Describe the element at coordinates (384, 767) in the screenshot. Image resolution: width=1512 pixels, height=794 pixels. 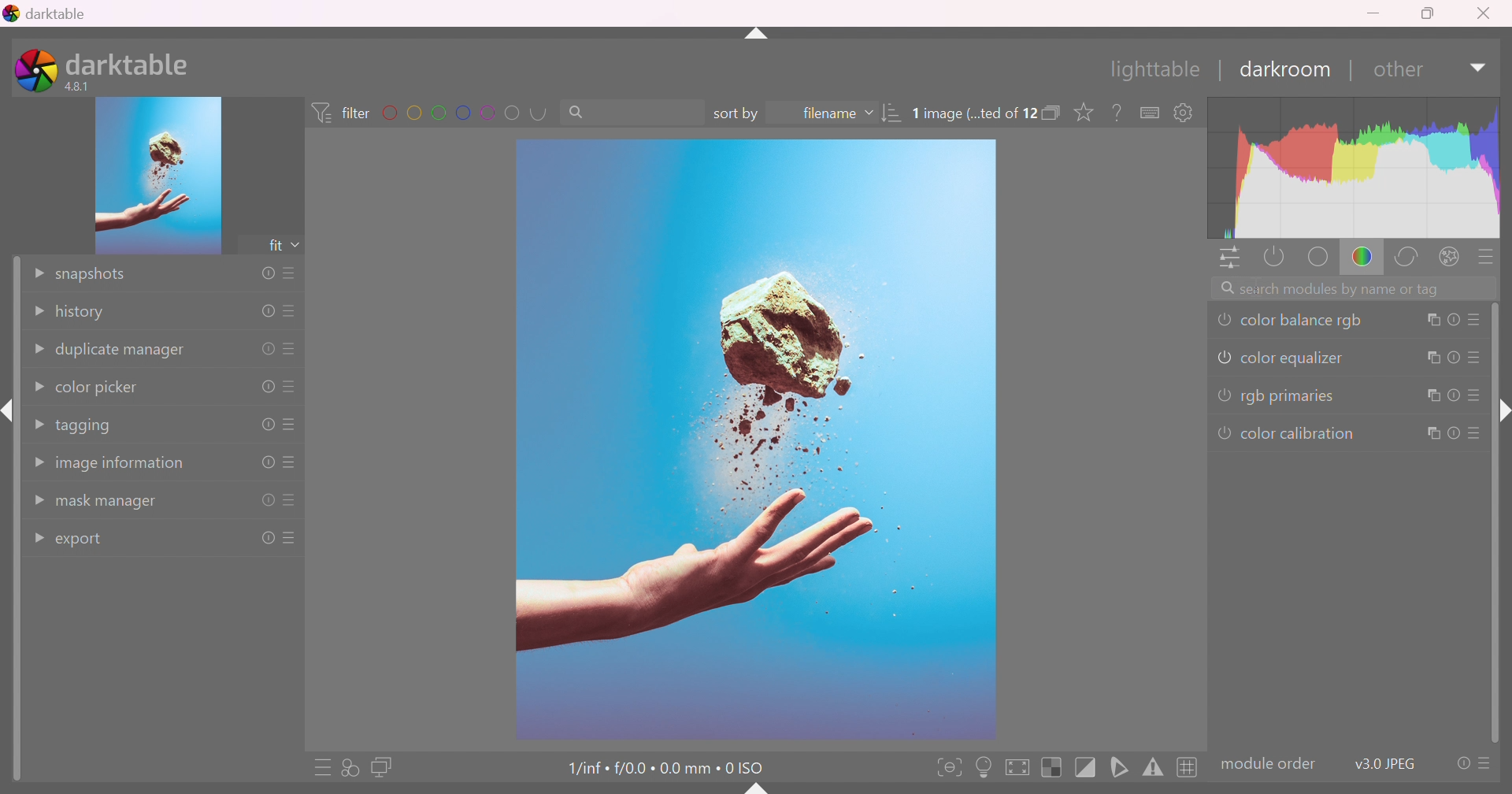
I see `display a second darkroom image window` at that location.